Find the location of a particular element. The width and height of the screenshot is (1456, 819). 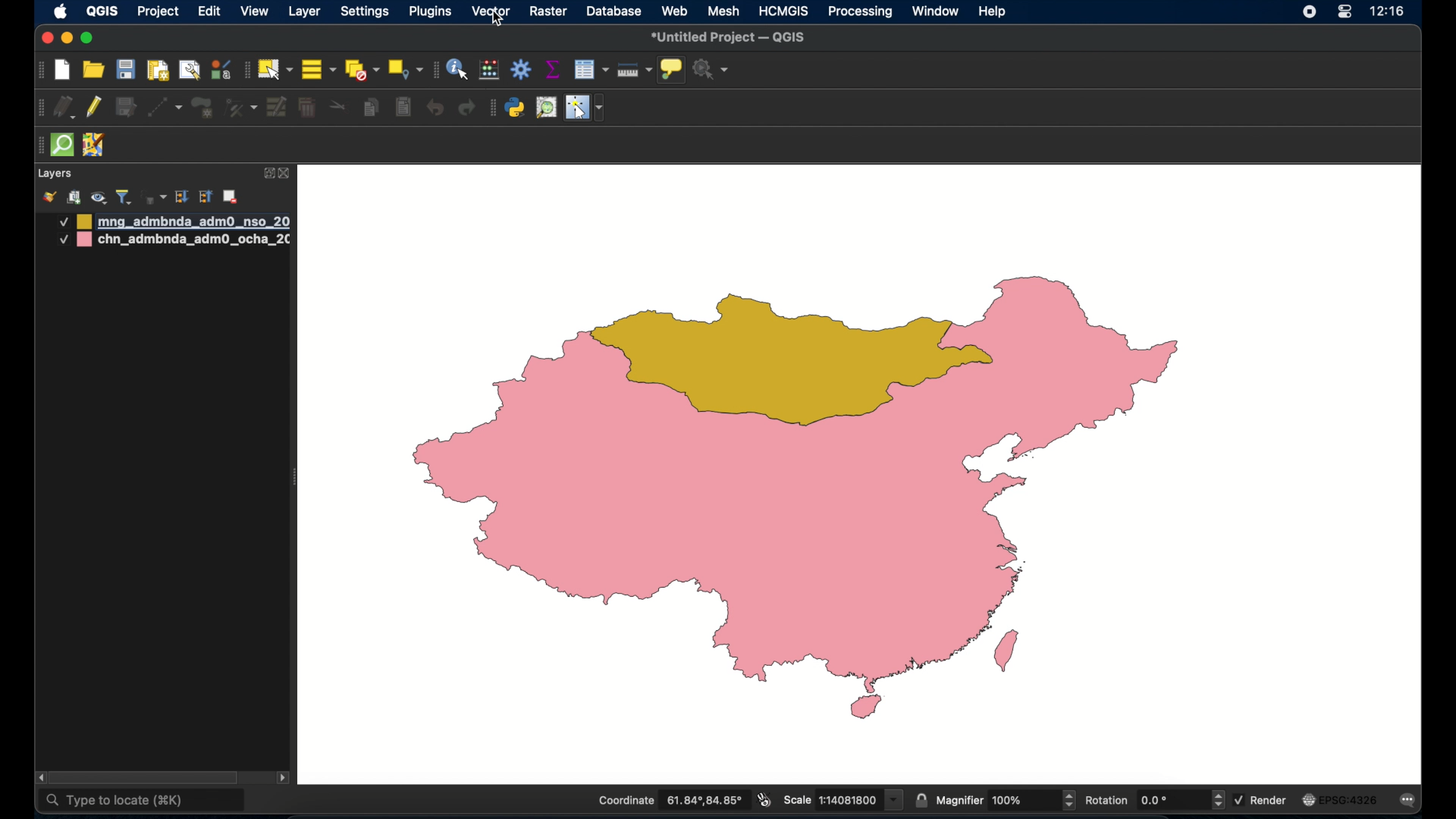

plugins is located at coordinates (433, 11).